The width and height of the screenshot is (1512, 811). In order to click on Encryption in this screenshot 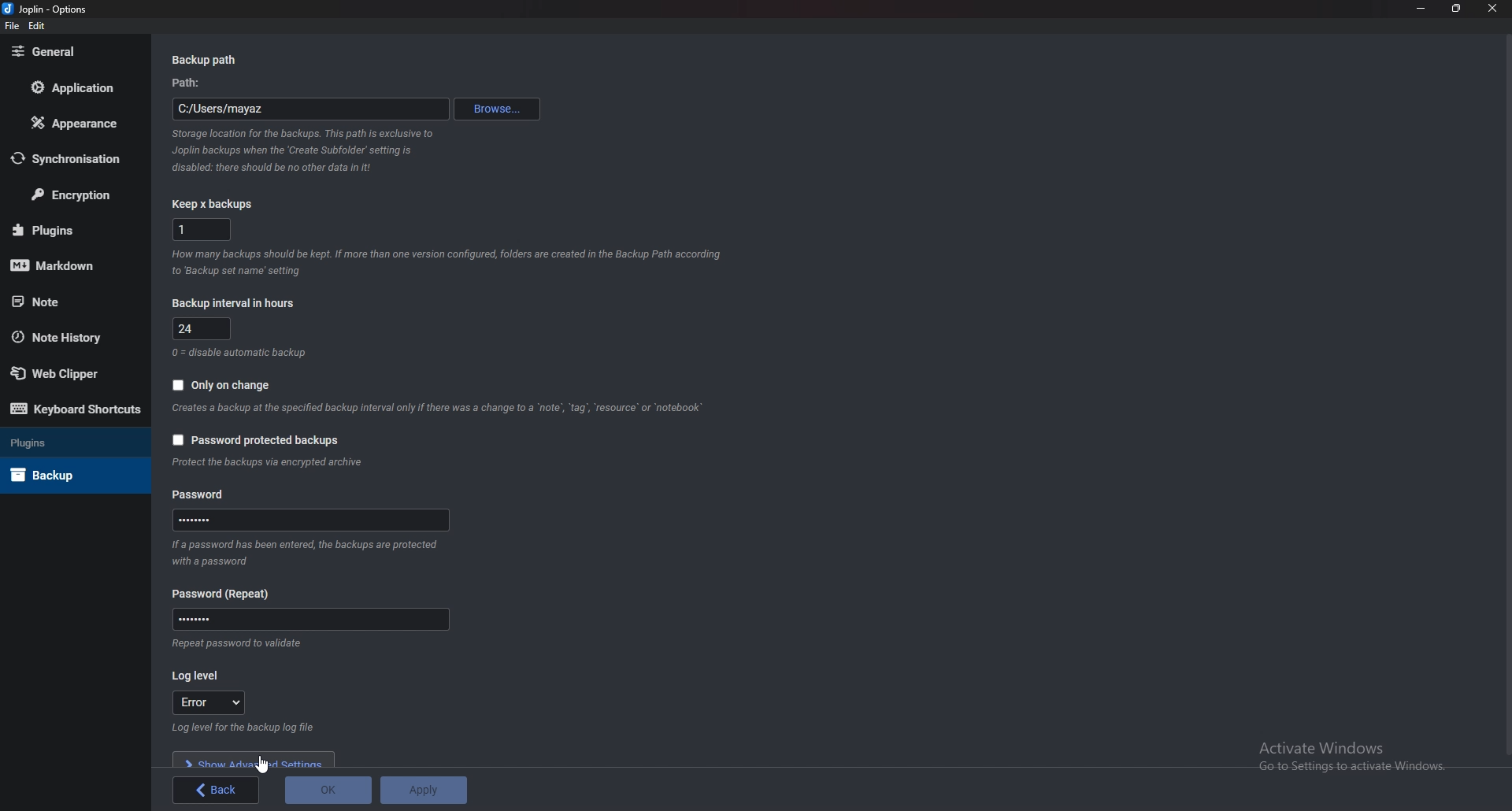, I will do `click(77, 194)`.